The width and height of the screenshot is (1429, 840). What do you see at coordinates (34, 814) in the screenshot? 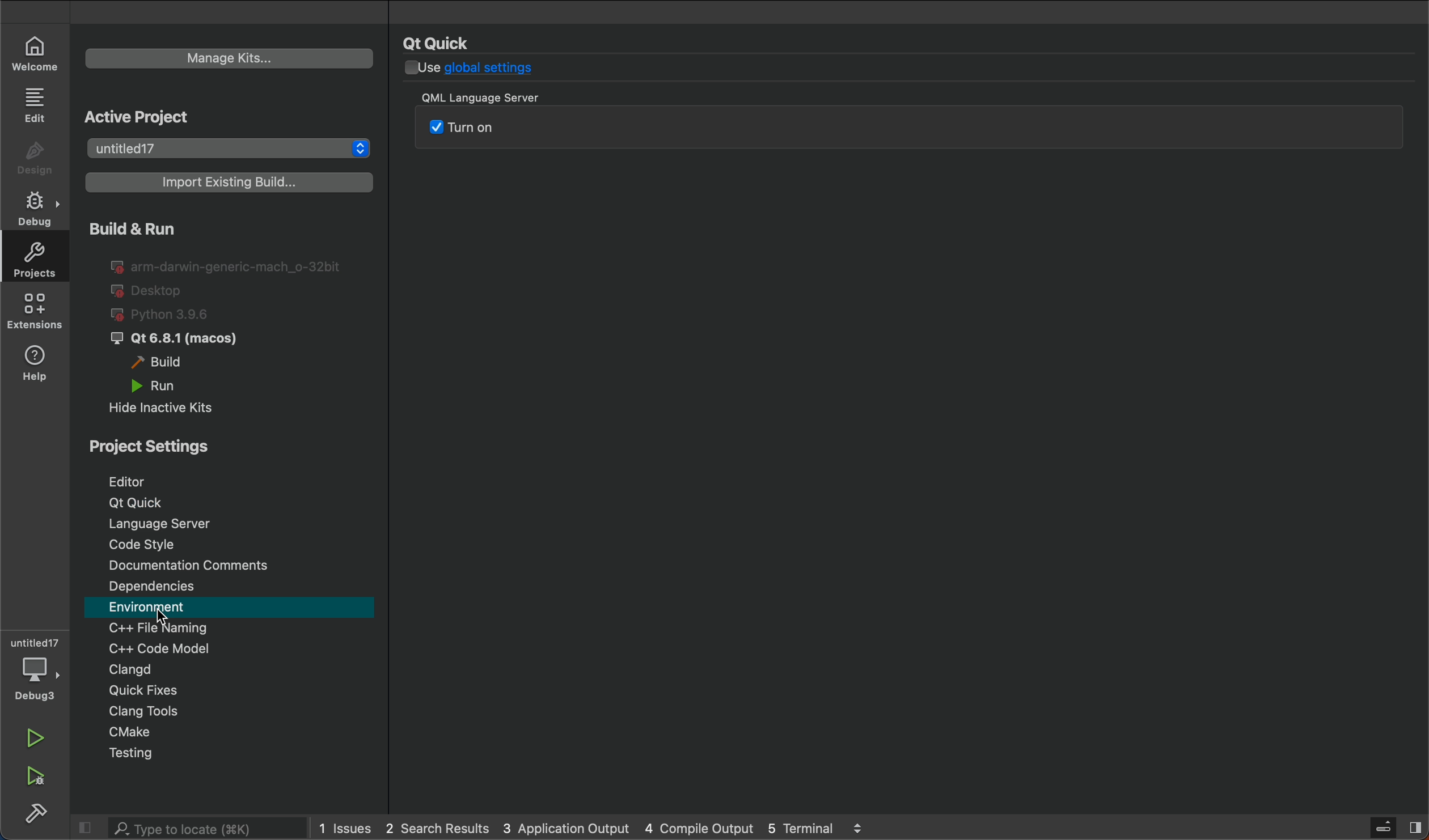
I see `build` at bounding box center [34, 814].